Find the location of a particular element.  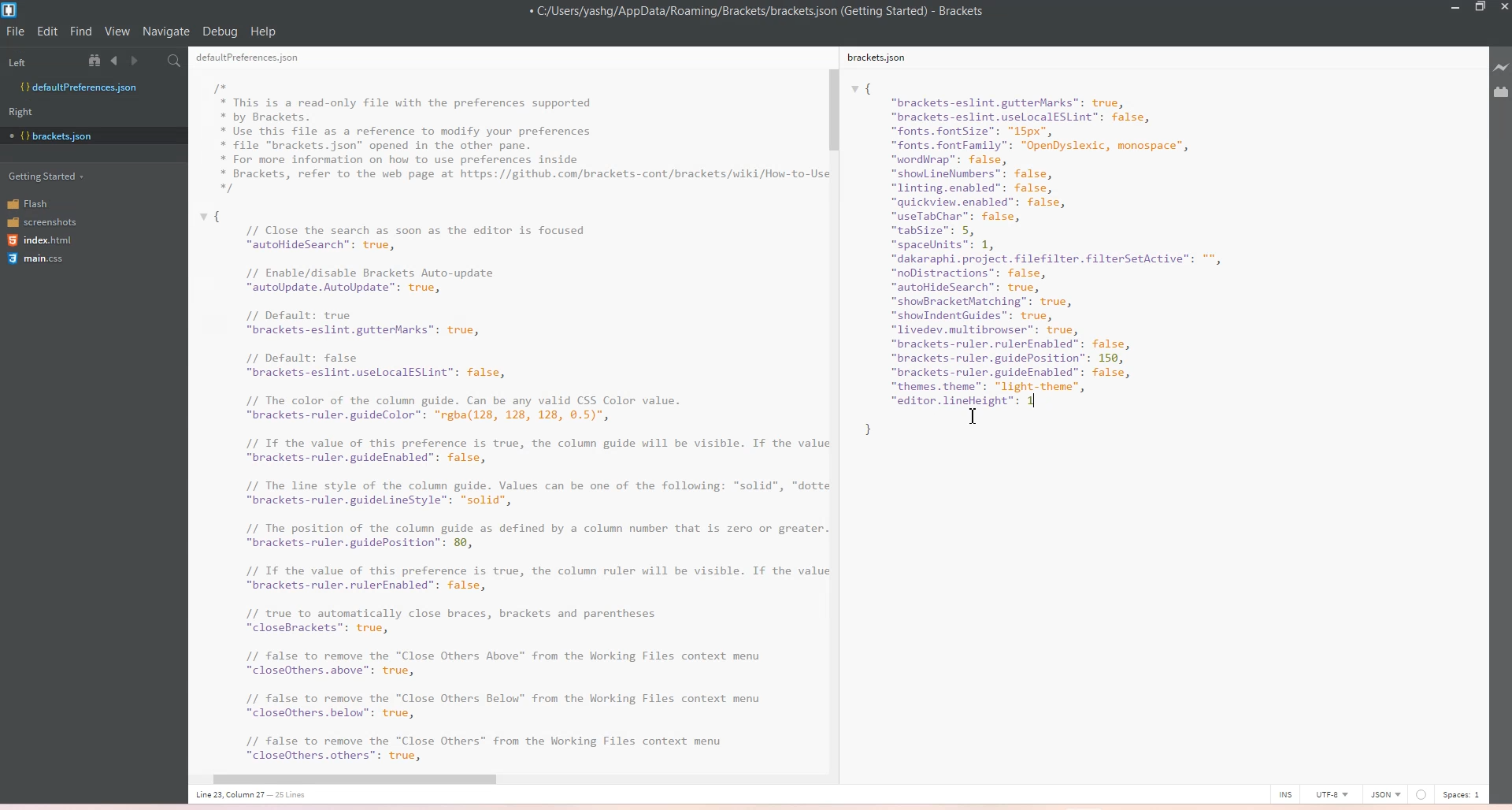

Debug is located at coordinates (220, 32).